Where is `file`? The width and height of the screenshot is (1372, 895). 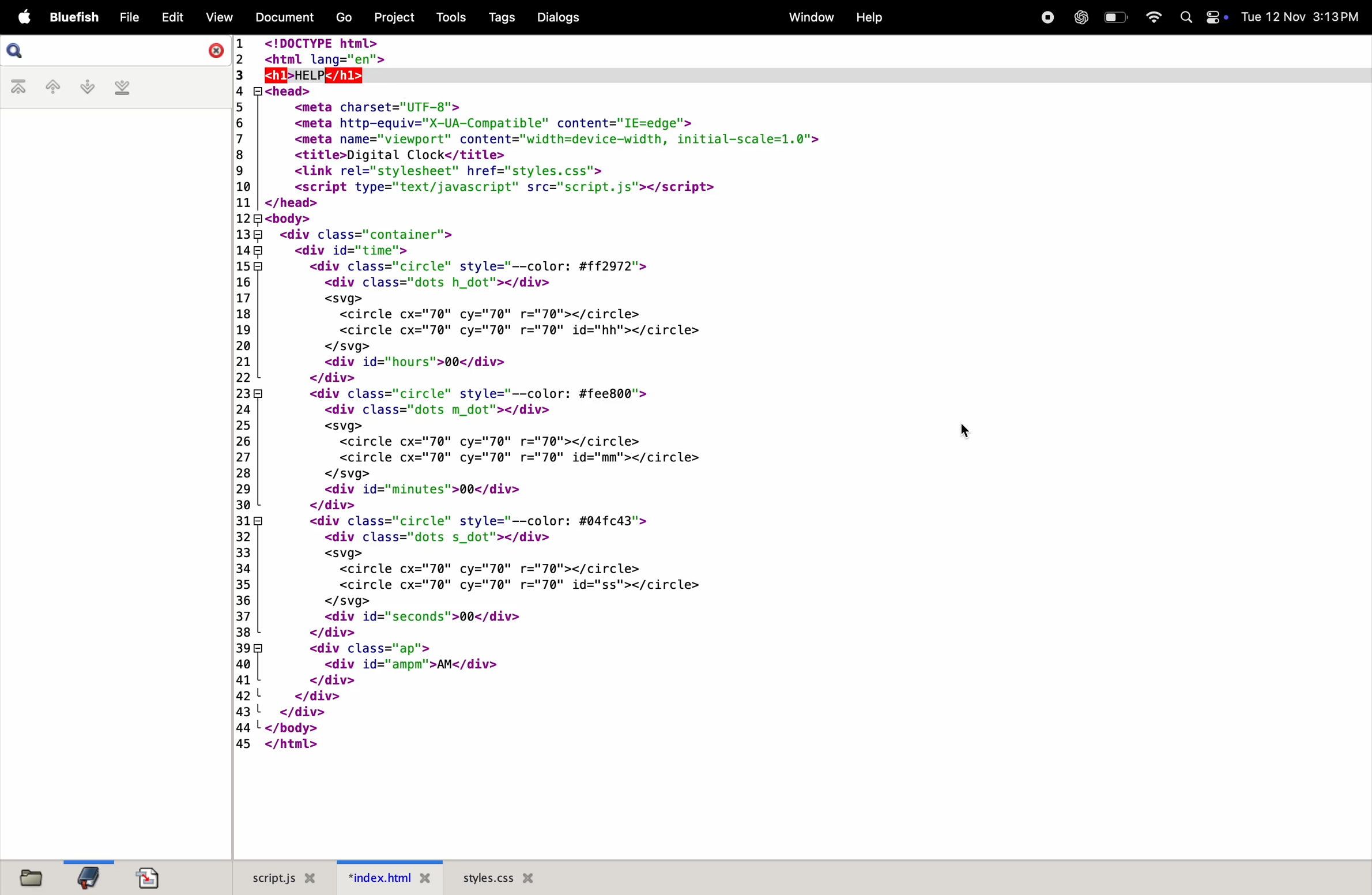
file is located at coordinates (129, 18).